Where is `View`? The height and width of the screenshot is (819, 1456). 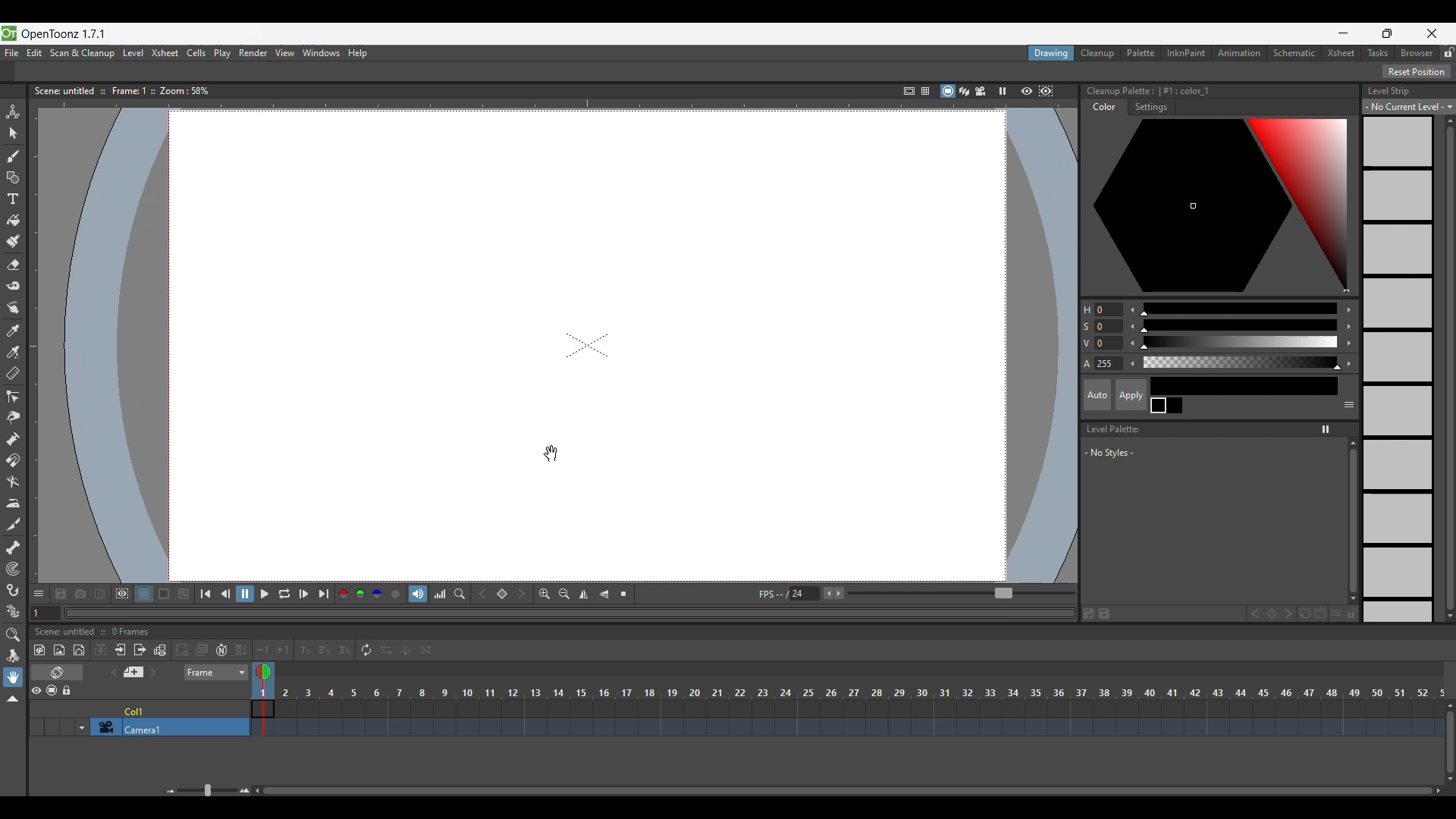
View is located at coordinates (285, 53).